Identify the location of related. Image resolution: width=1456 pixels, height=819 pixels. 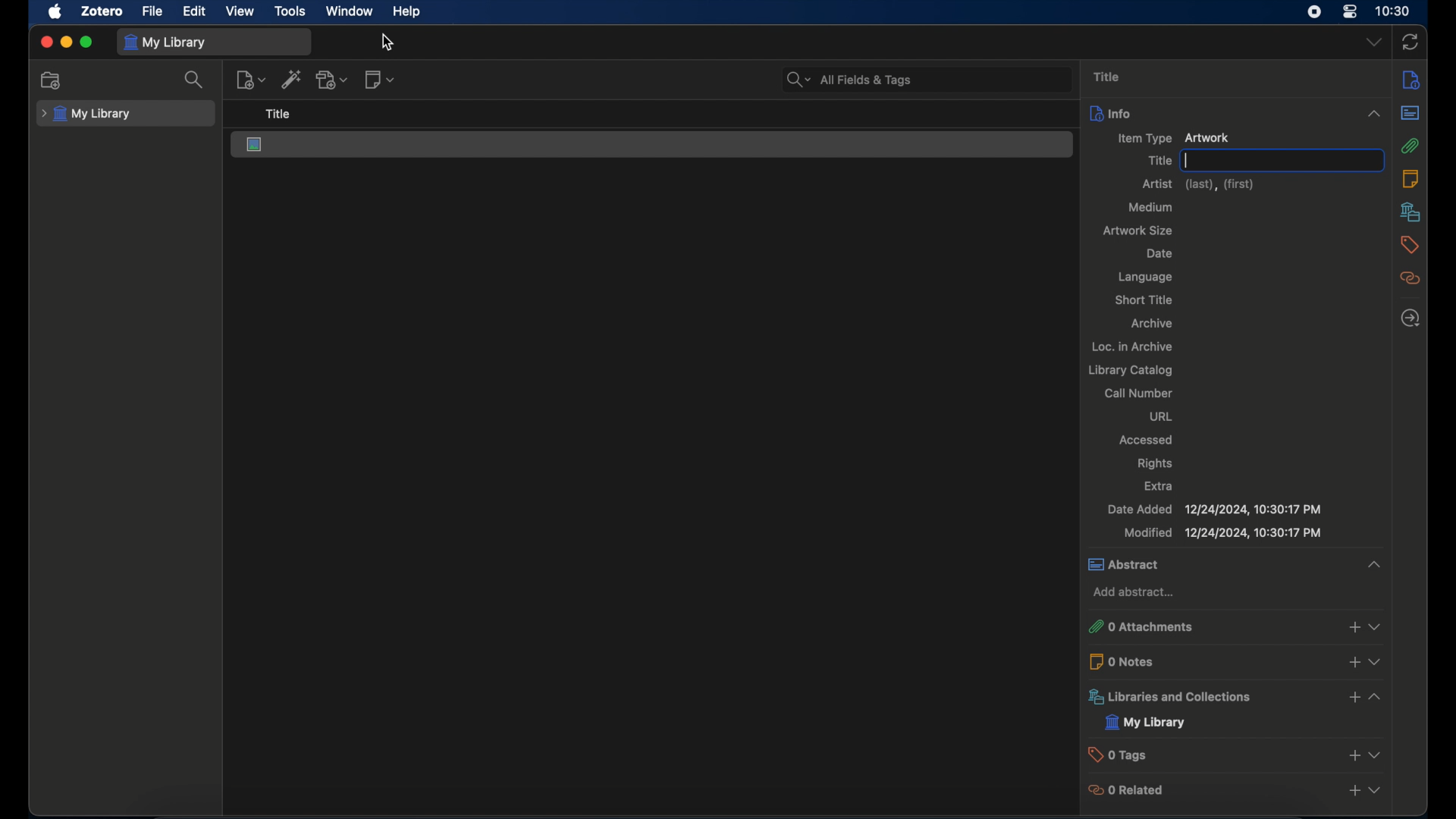
(1410, 278).